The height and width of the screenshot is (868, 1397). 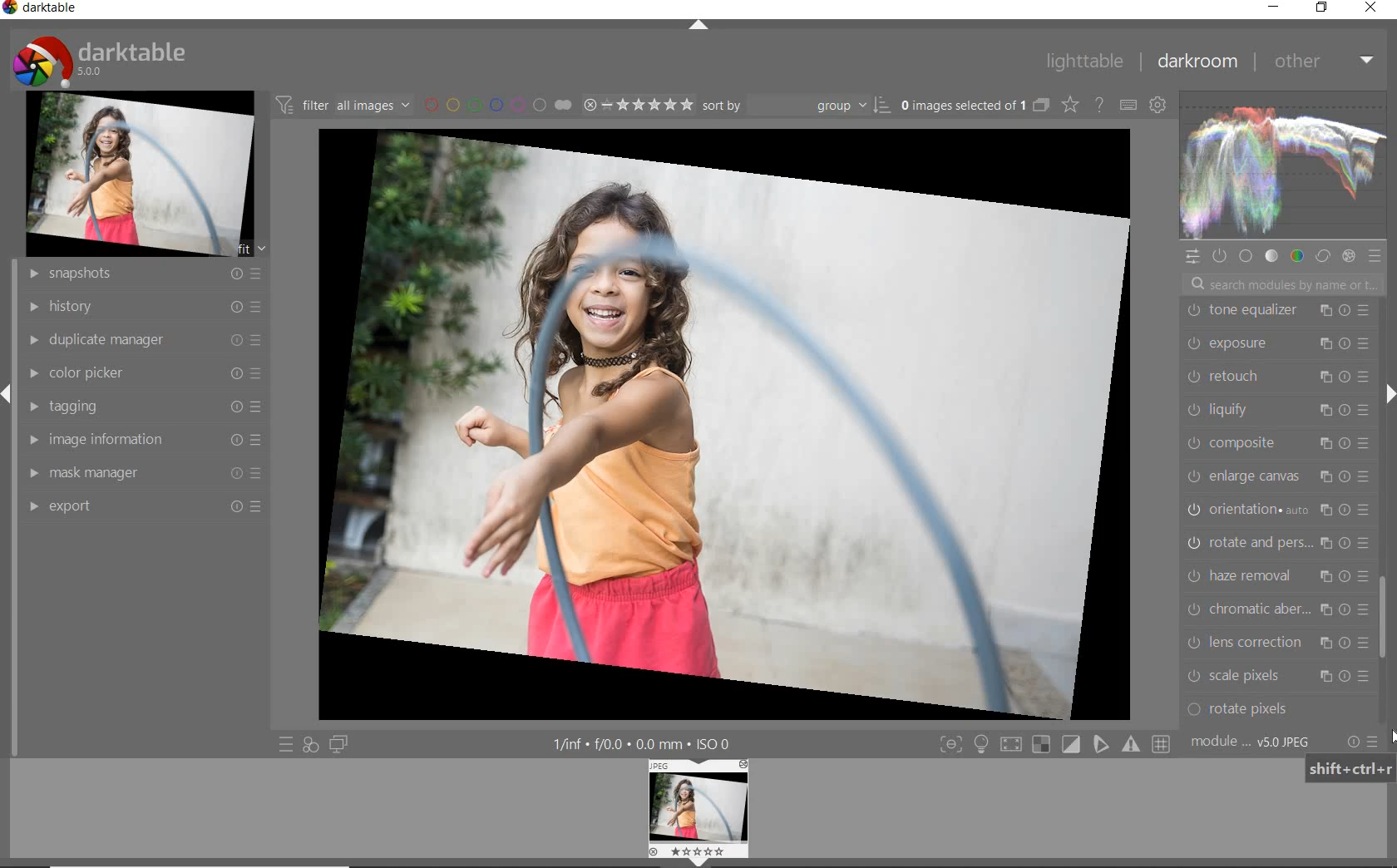 I want to click on restore, so click(x=1324, y=7).